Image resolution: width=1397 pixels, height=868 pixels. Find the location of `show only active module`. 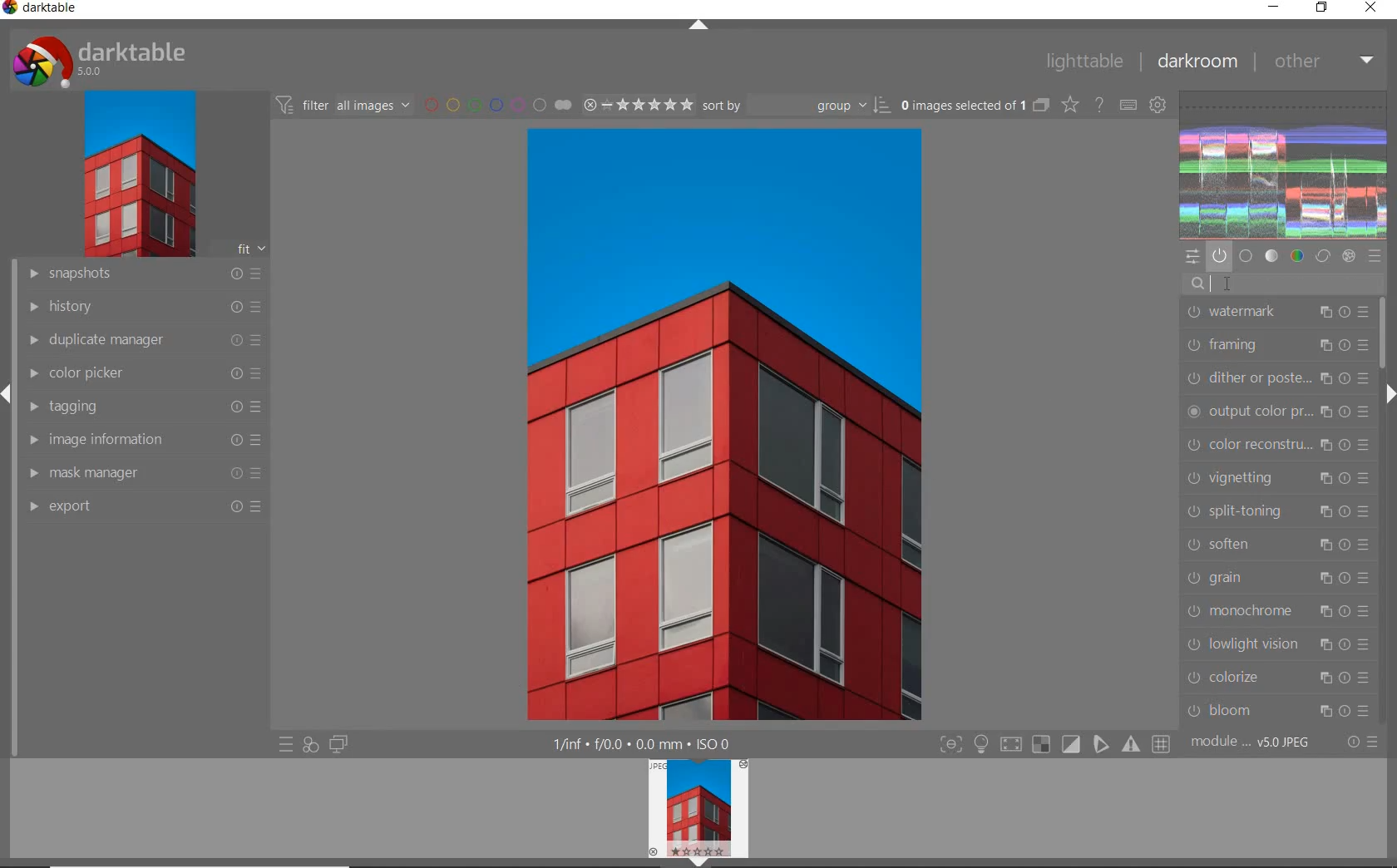

show only active module is located at coordinates (1220, 257).